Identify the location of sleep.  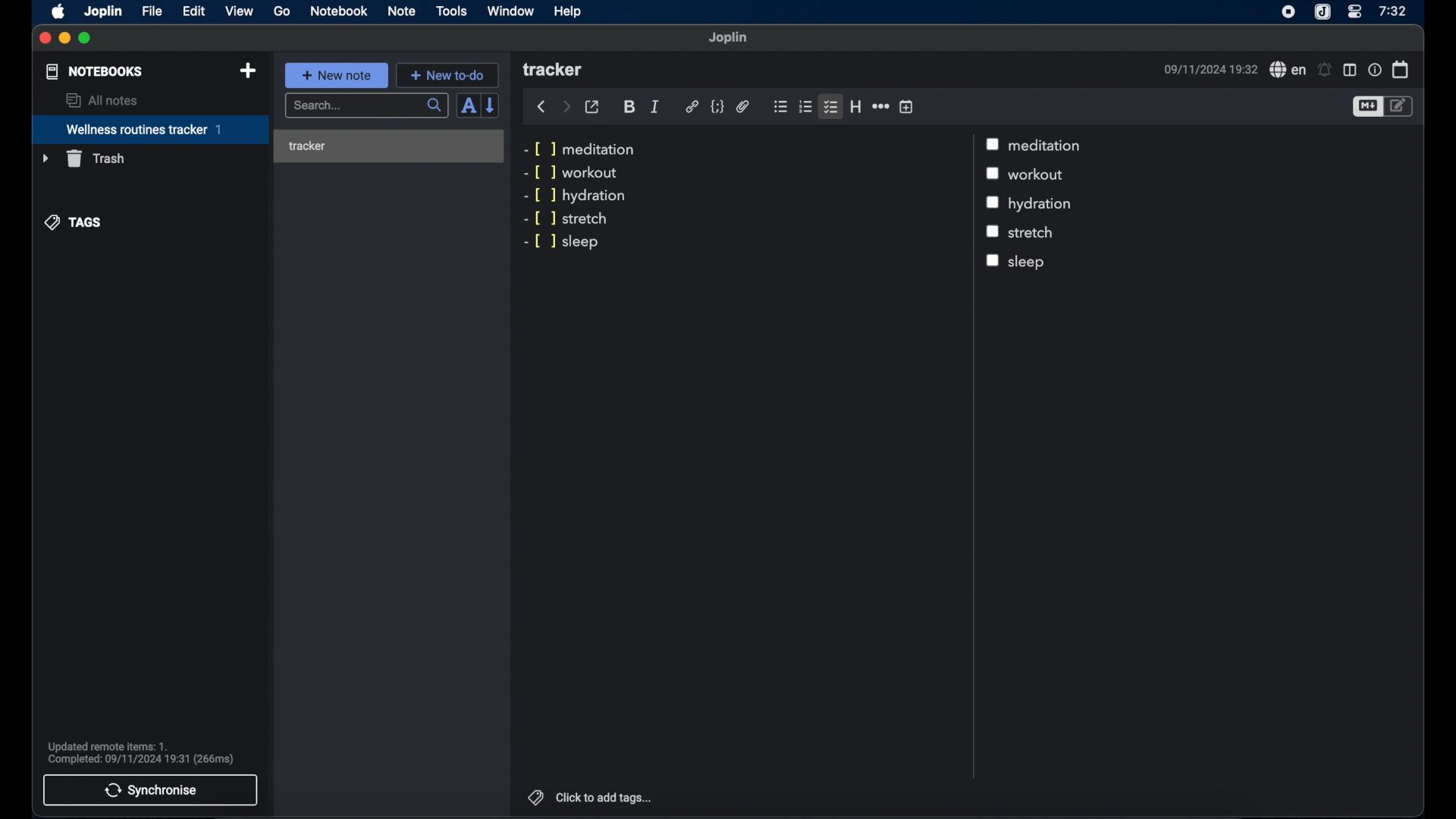
(1047, 262).